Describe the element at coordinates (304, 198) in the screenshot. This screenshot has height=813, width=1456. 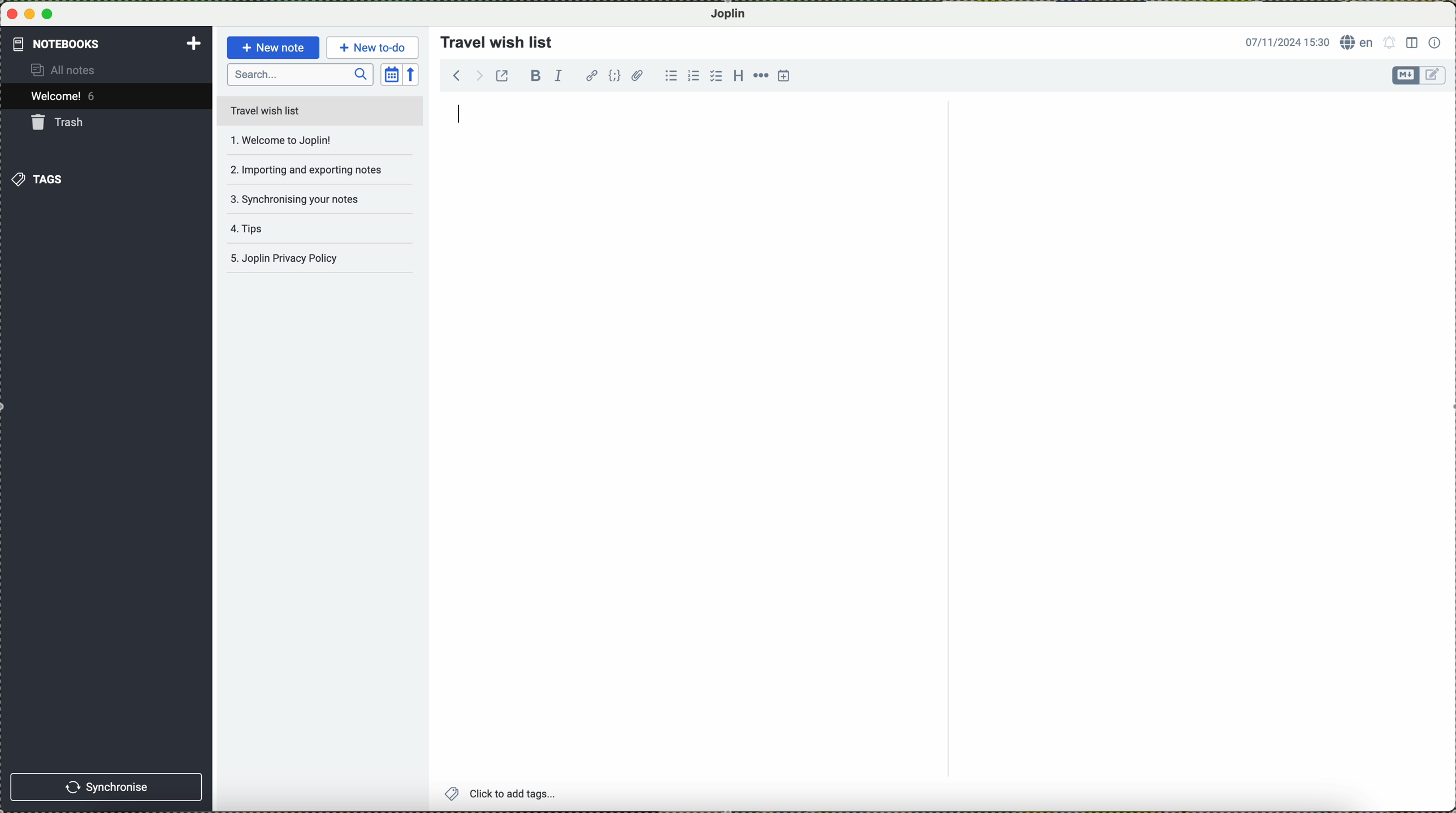
I see `synchronising your notes` at that location.